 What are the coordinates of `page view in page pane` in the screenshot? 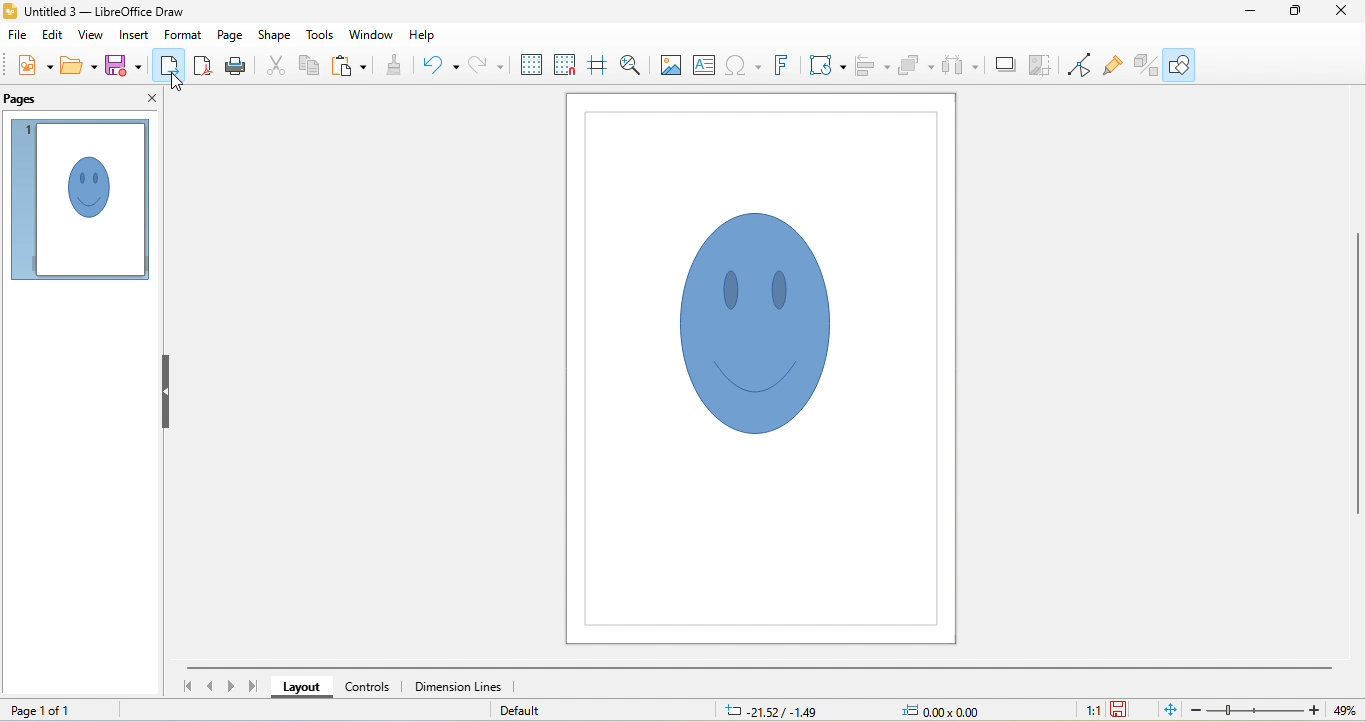 It's located at (79, 200).